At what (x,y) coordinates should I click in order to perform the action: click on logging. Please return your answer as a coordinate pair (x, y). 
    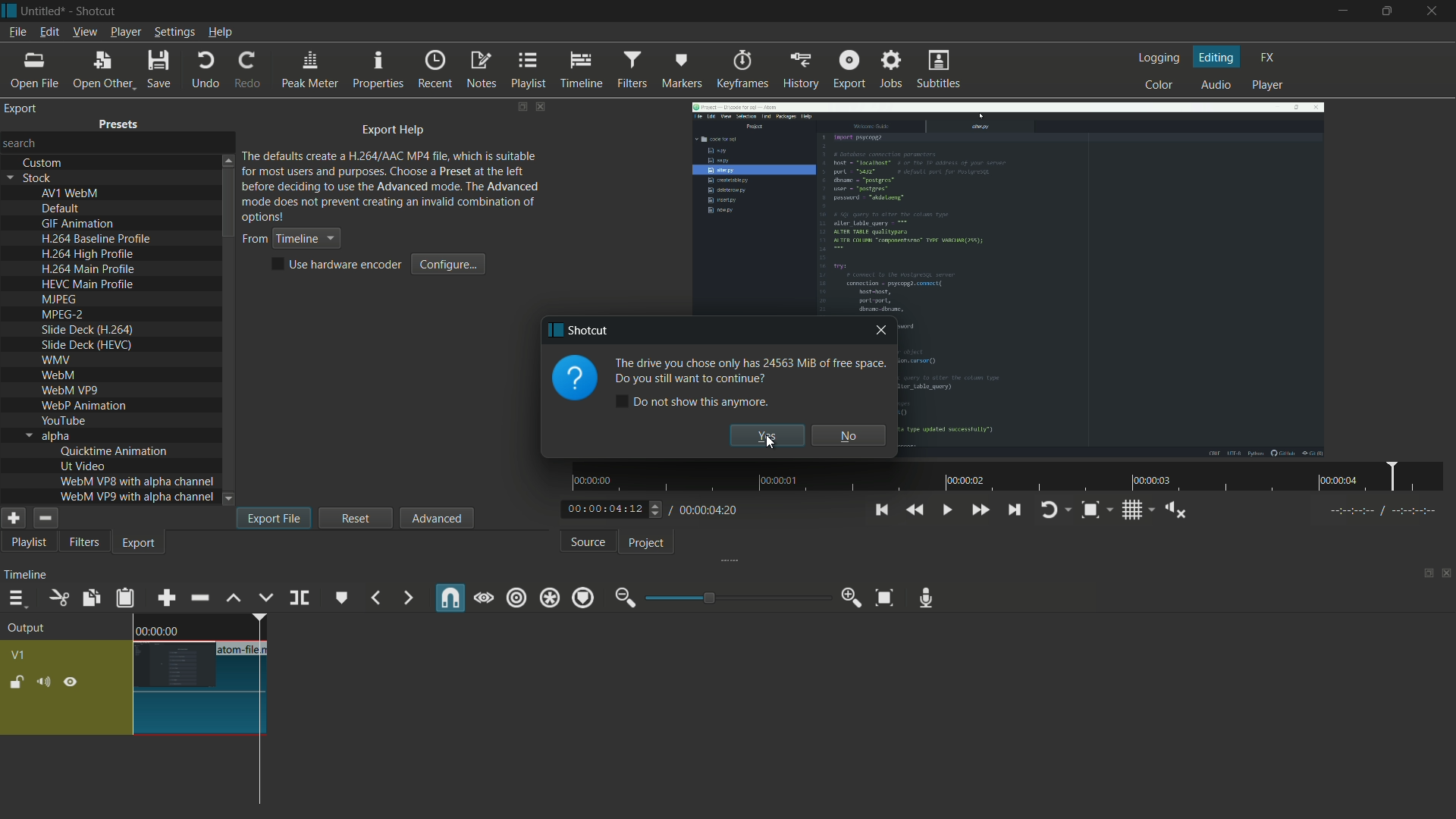
    Looking at the image, I should click on (1158, 58).